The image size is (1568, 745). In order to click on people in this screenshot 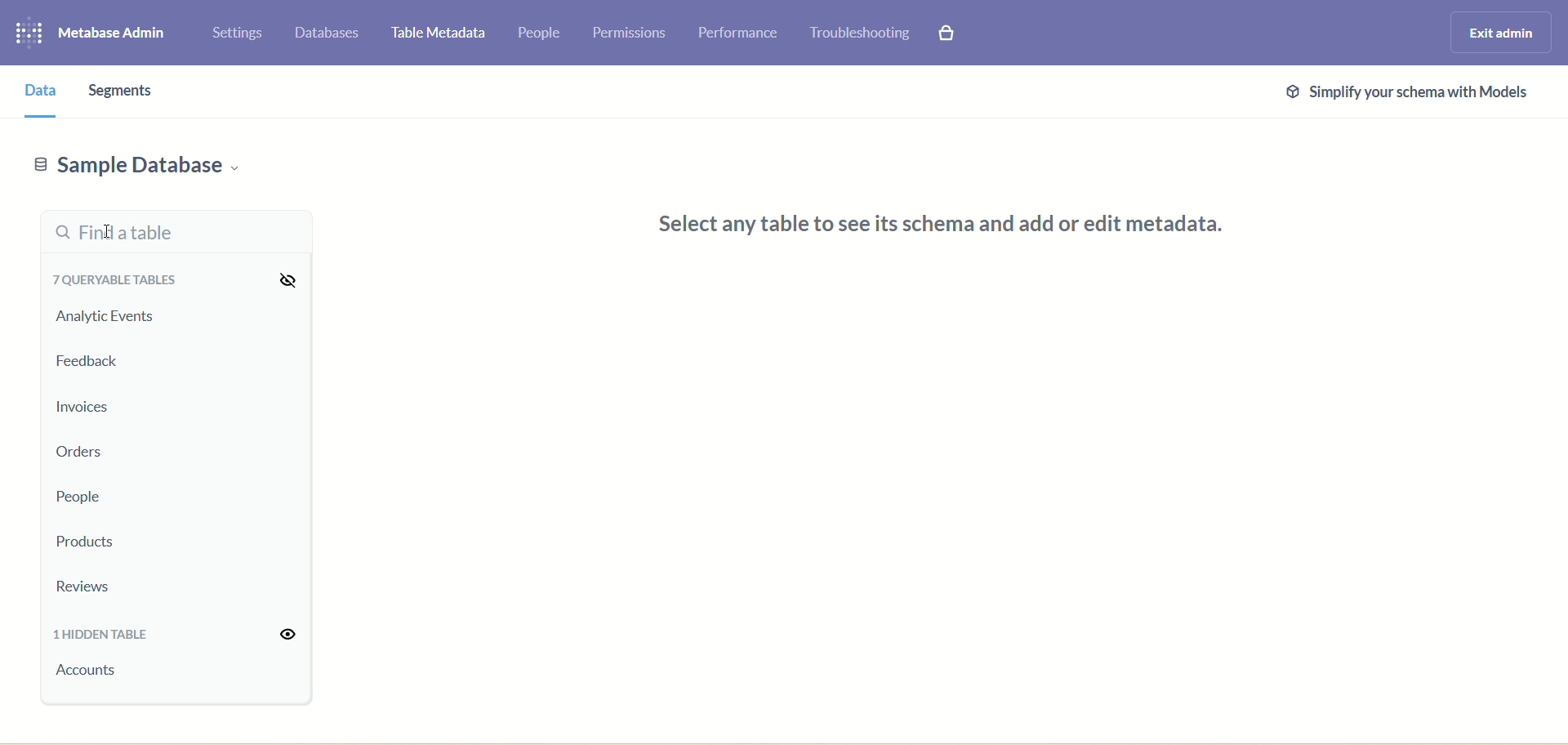, I will do `click(81, 497)`.